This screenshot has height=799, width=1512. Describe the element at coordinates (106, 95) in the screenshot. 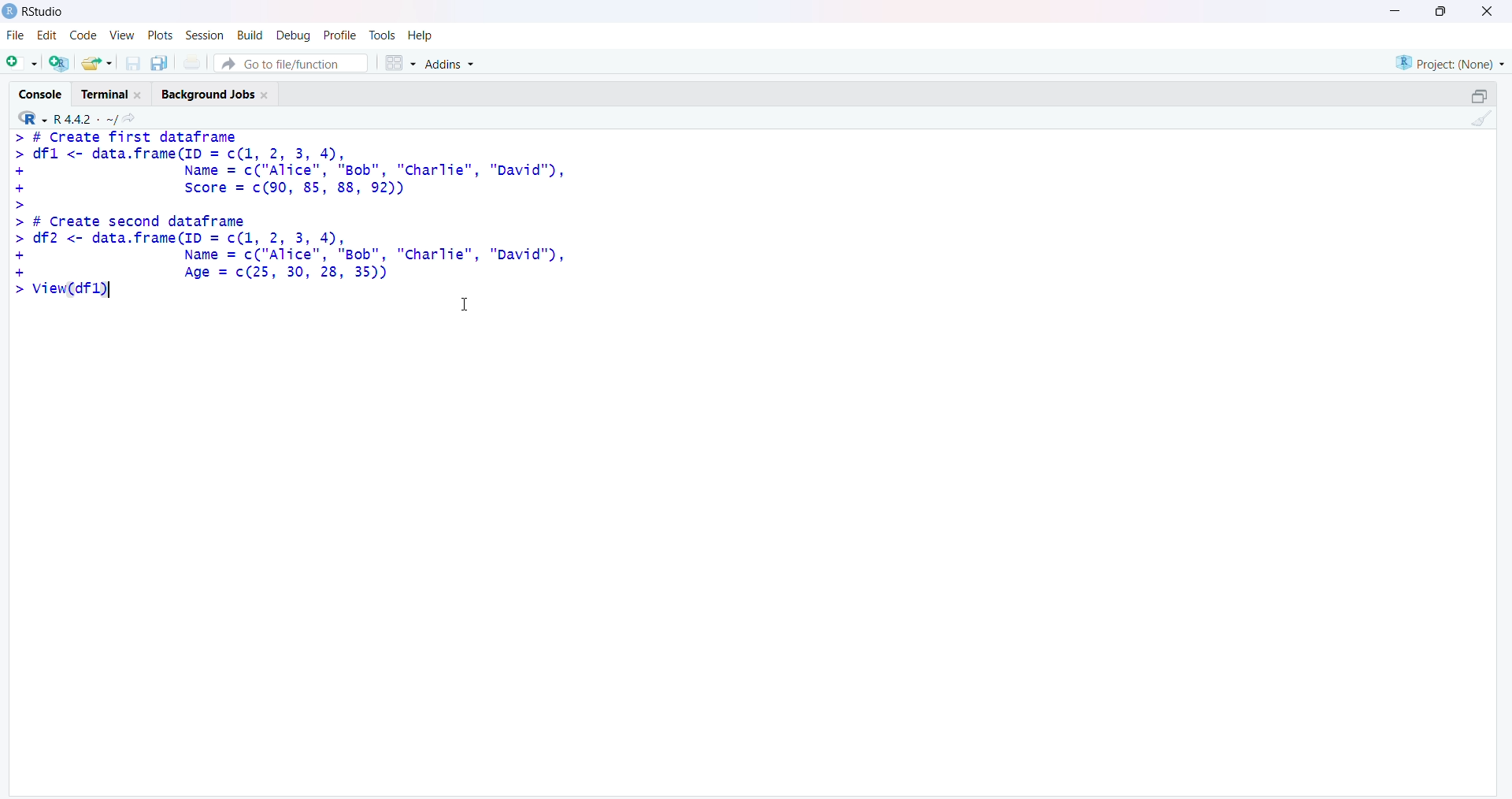

I see `Terminal` at that location.